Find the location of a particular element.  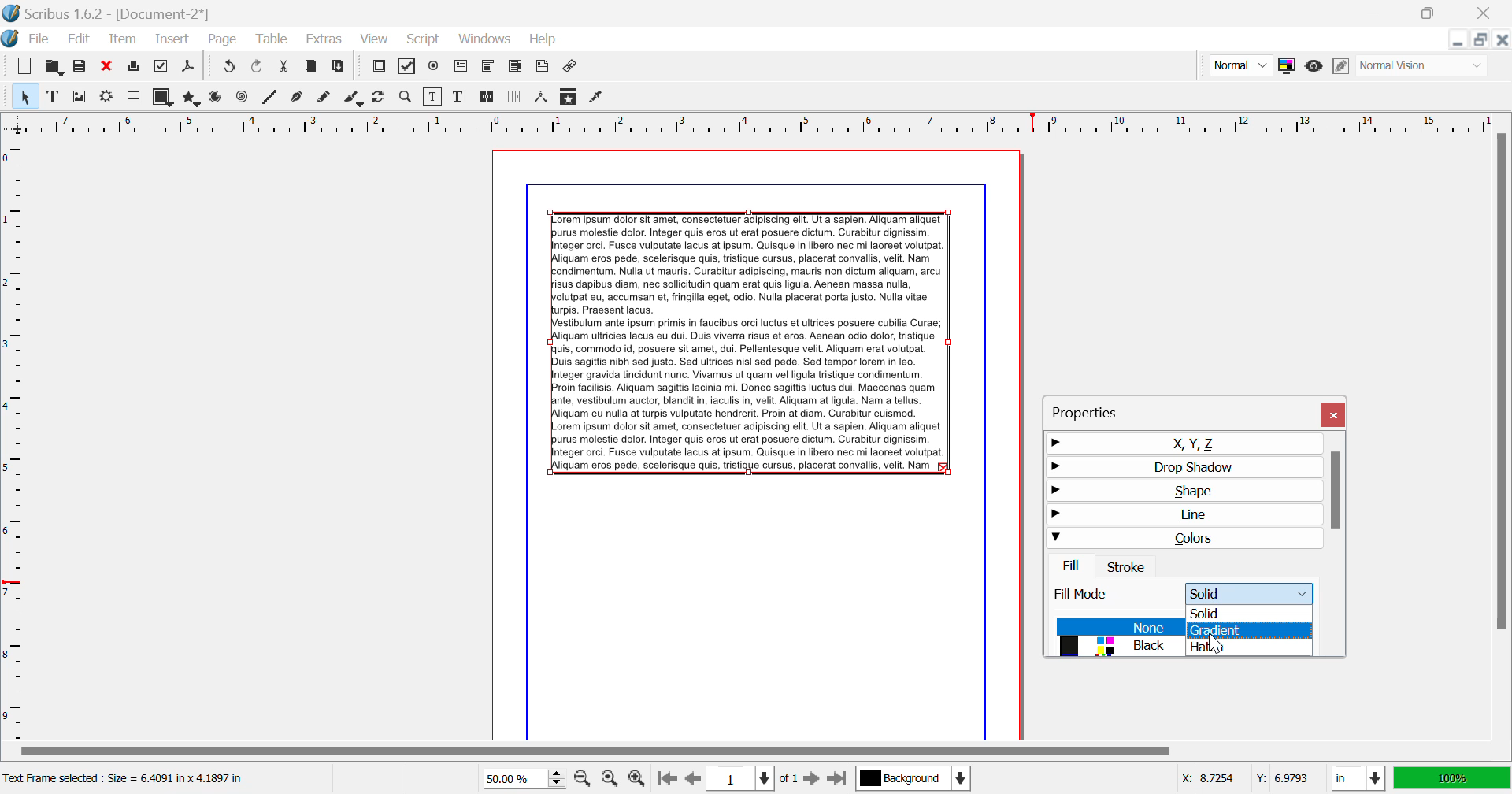

Text Annotation is located at coordinates (542, 68).